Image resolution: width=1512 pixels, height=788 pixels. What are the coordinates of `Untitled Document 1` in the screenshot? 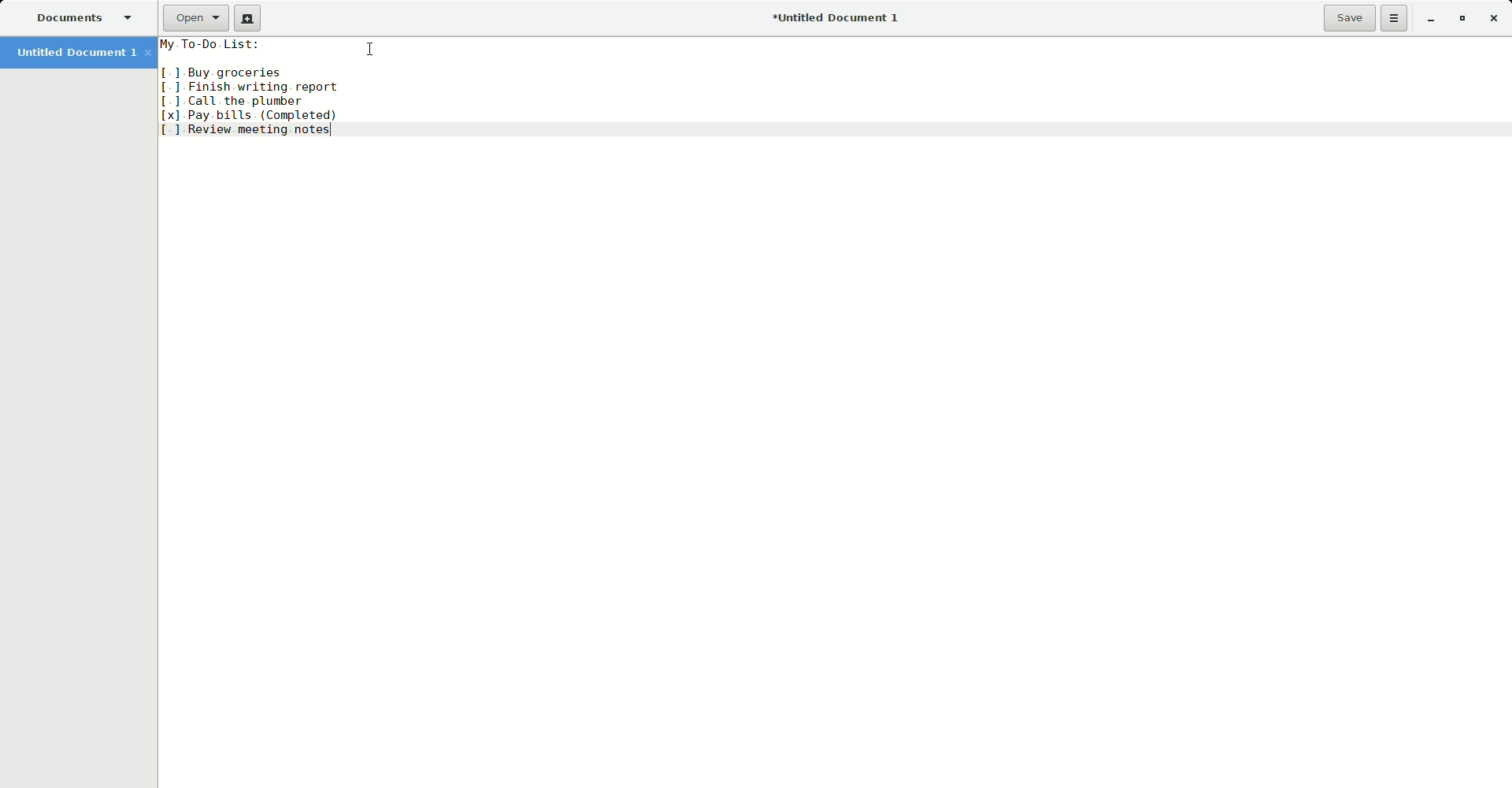 It's located at (76, 53).